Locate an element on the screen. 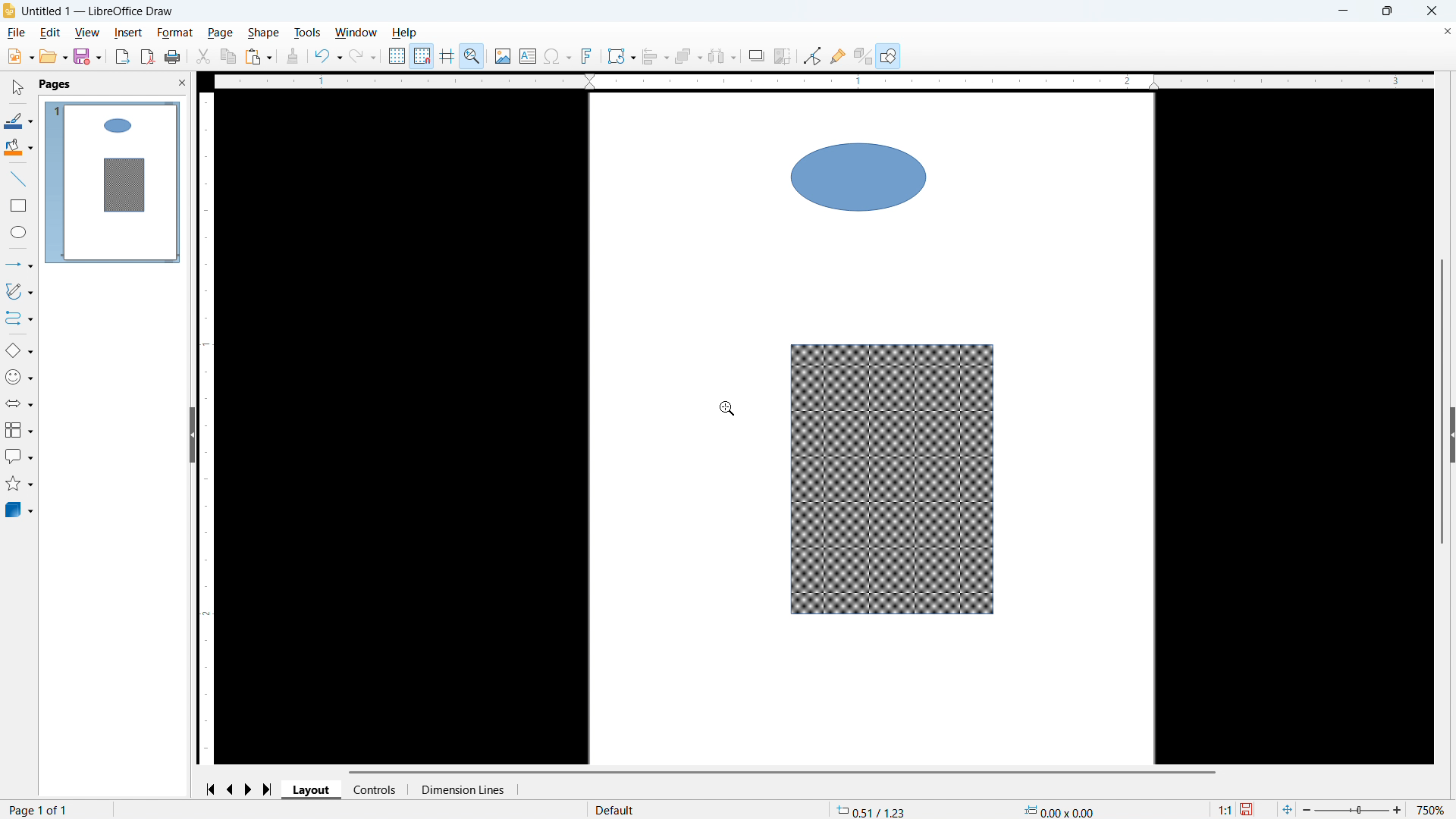  Zoom  is located at coordinates (473, 55).